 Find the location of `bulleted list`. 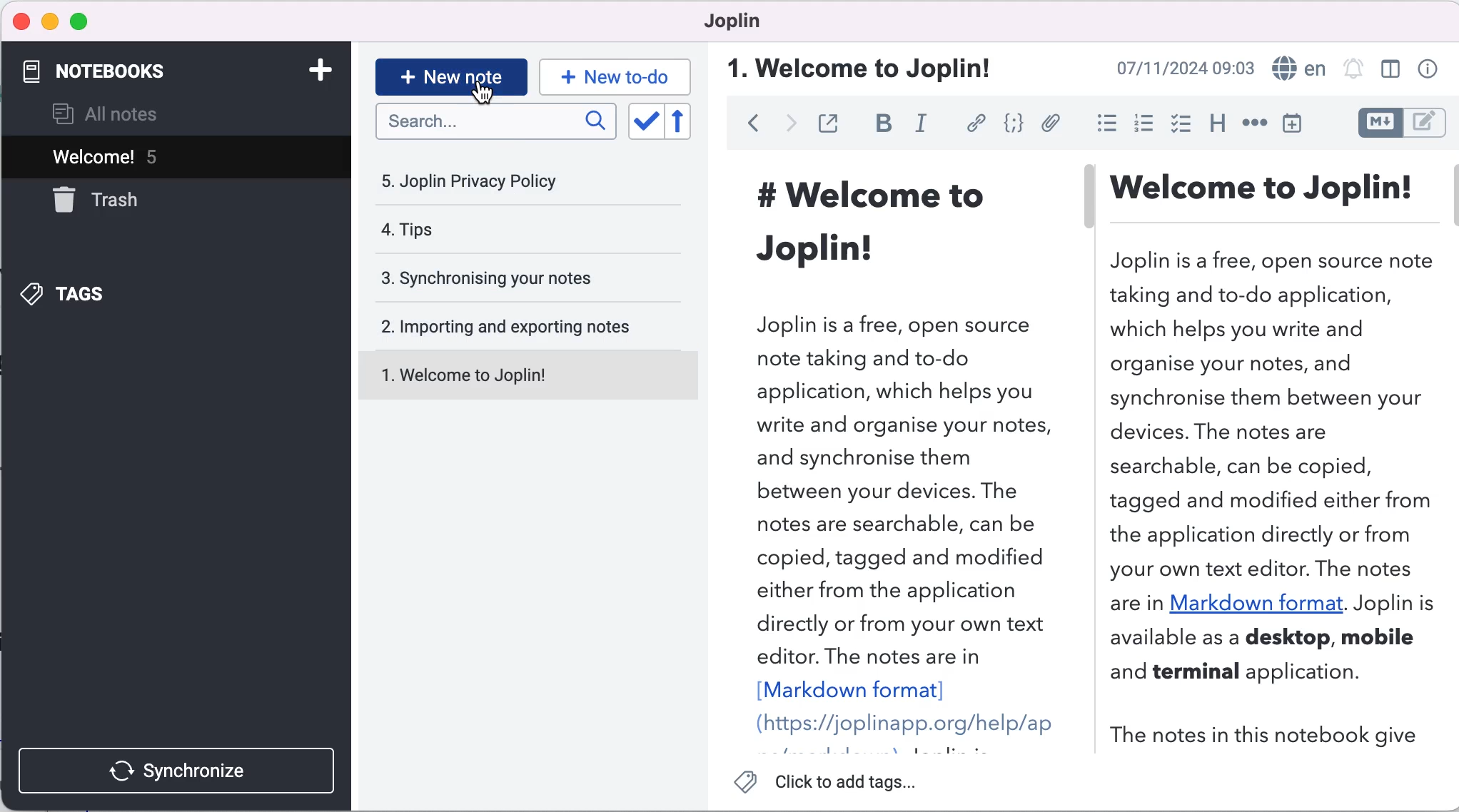

bulleted list is located at coordinates (1101, 123).